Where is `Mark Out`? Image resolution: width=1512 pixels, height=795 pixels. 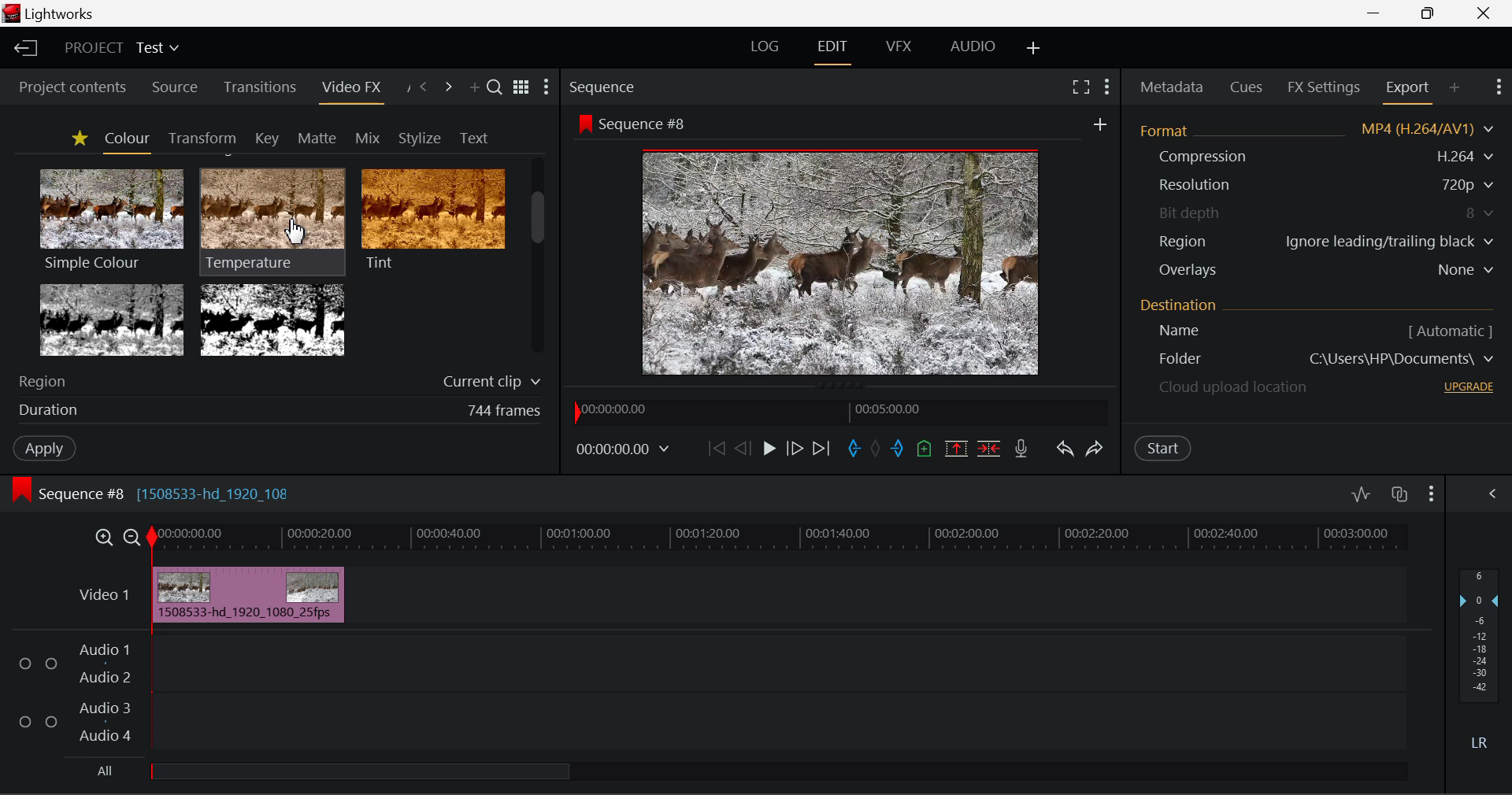
Mark Out is located at coordinates (898, 452).